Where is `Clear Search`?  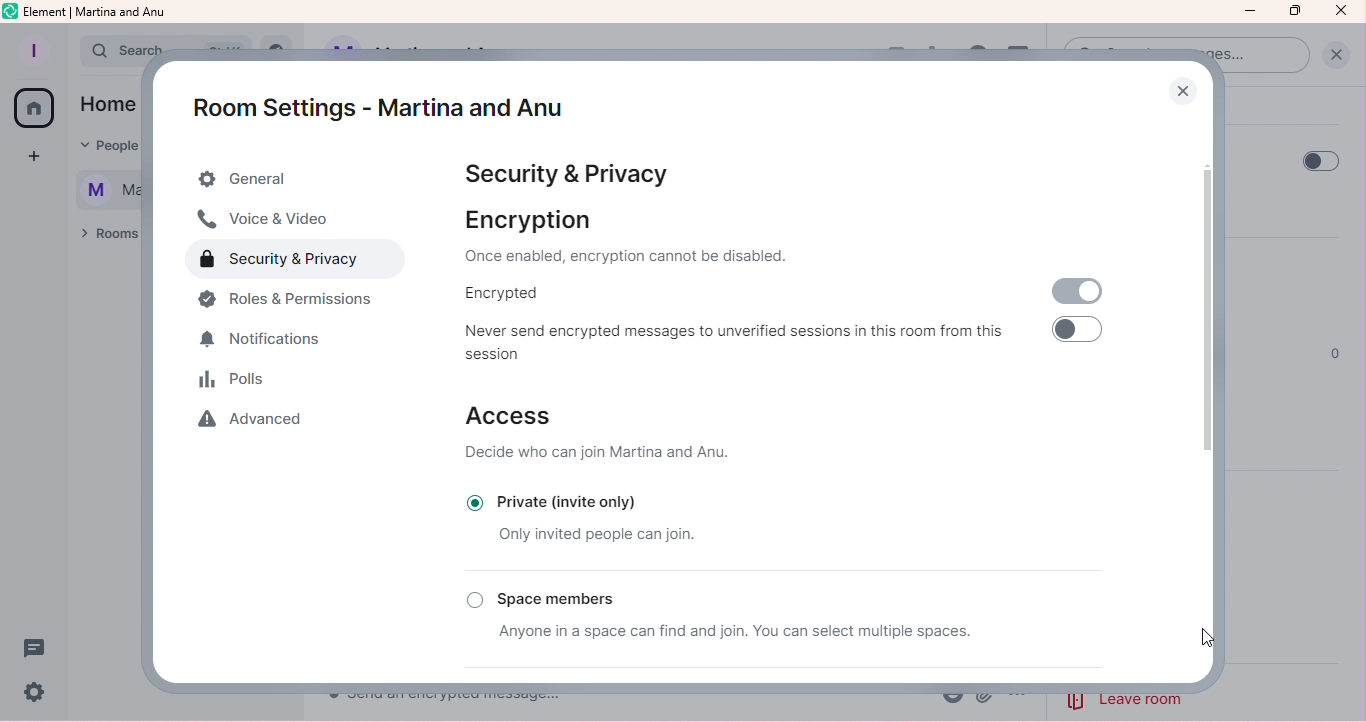
Clear Search is located at coordinates (1333, 60).